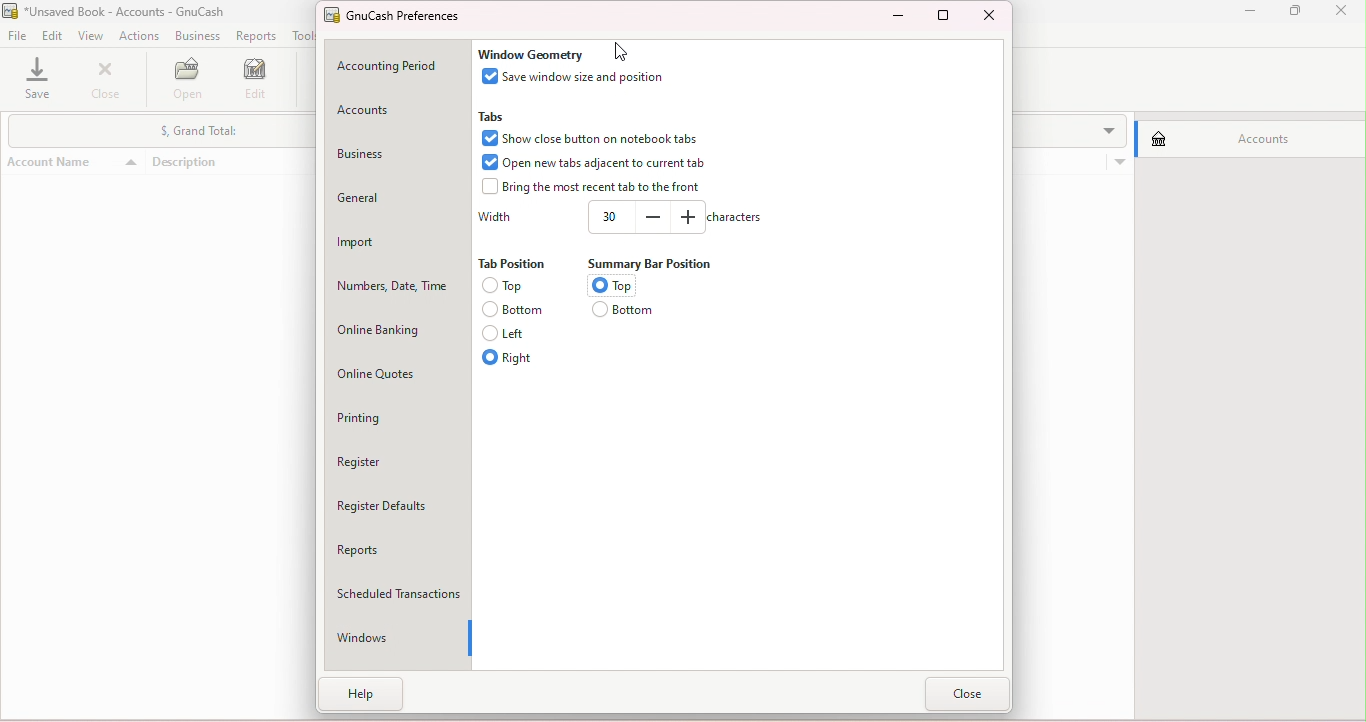  I want to click on Accounts, so click(387, 110).